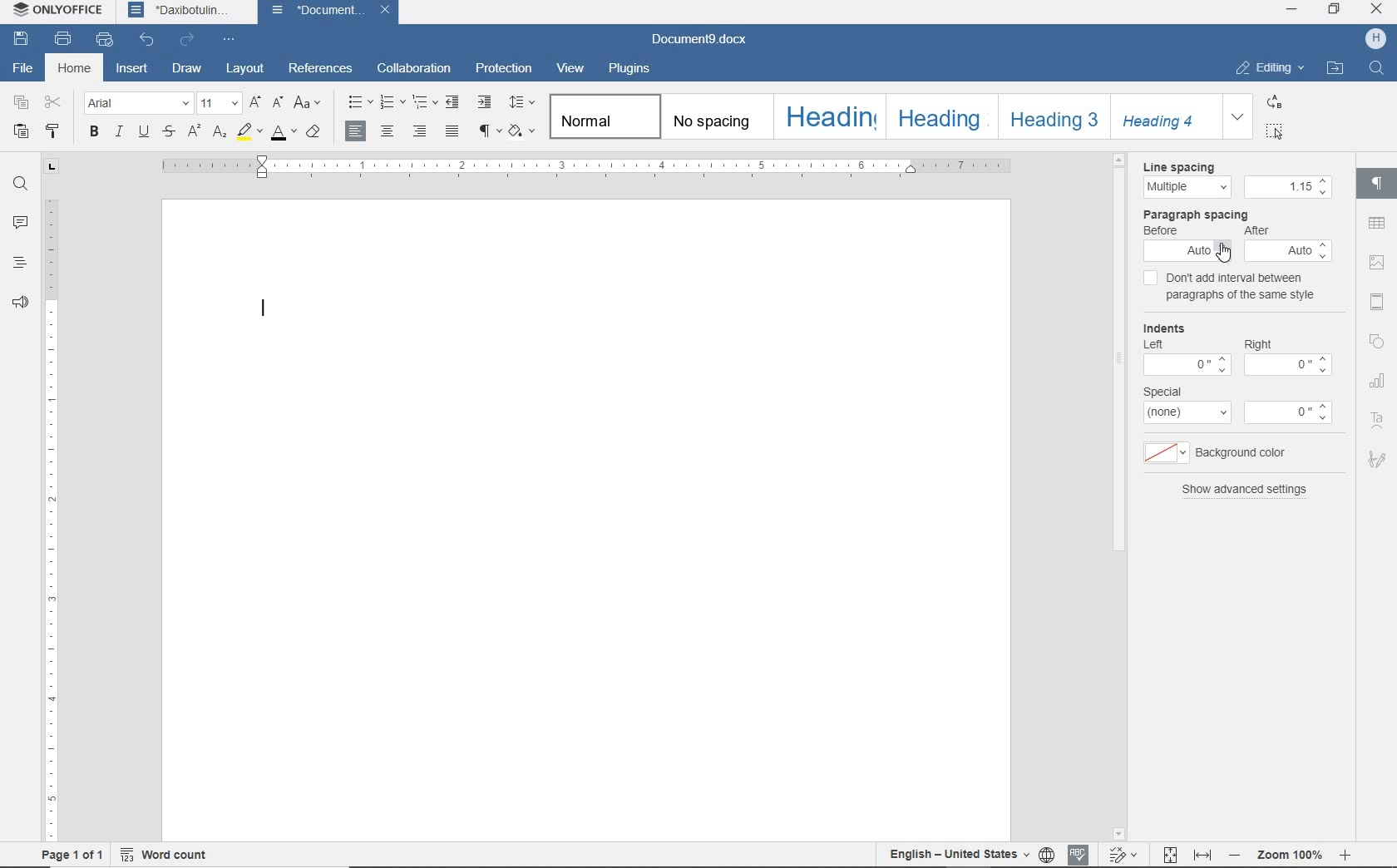 Image resolution: width=1397 pixels, height=868 pixels. What do you see at coordinates (1122, 854) in the screenshot?
I see `track changes` at bounding box center [1122, 854].